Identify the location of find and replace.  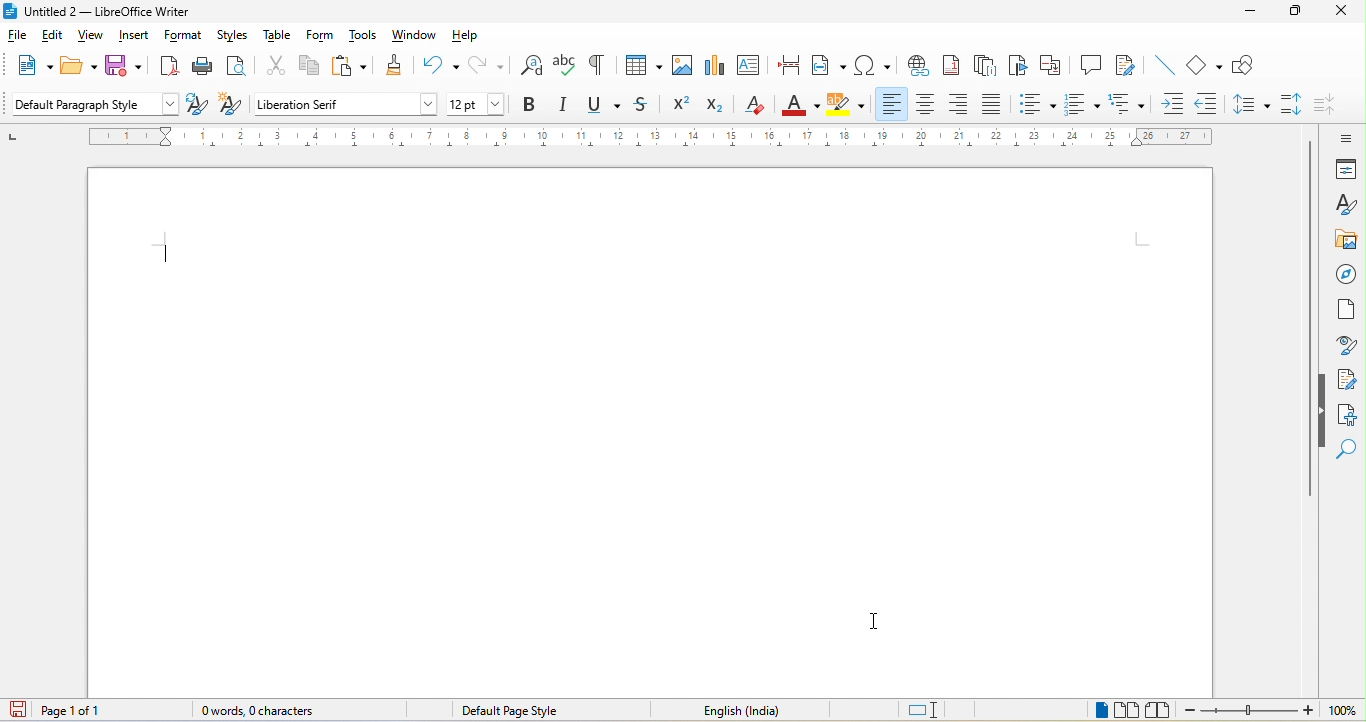
(533, 69).